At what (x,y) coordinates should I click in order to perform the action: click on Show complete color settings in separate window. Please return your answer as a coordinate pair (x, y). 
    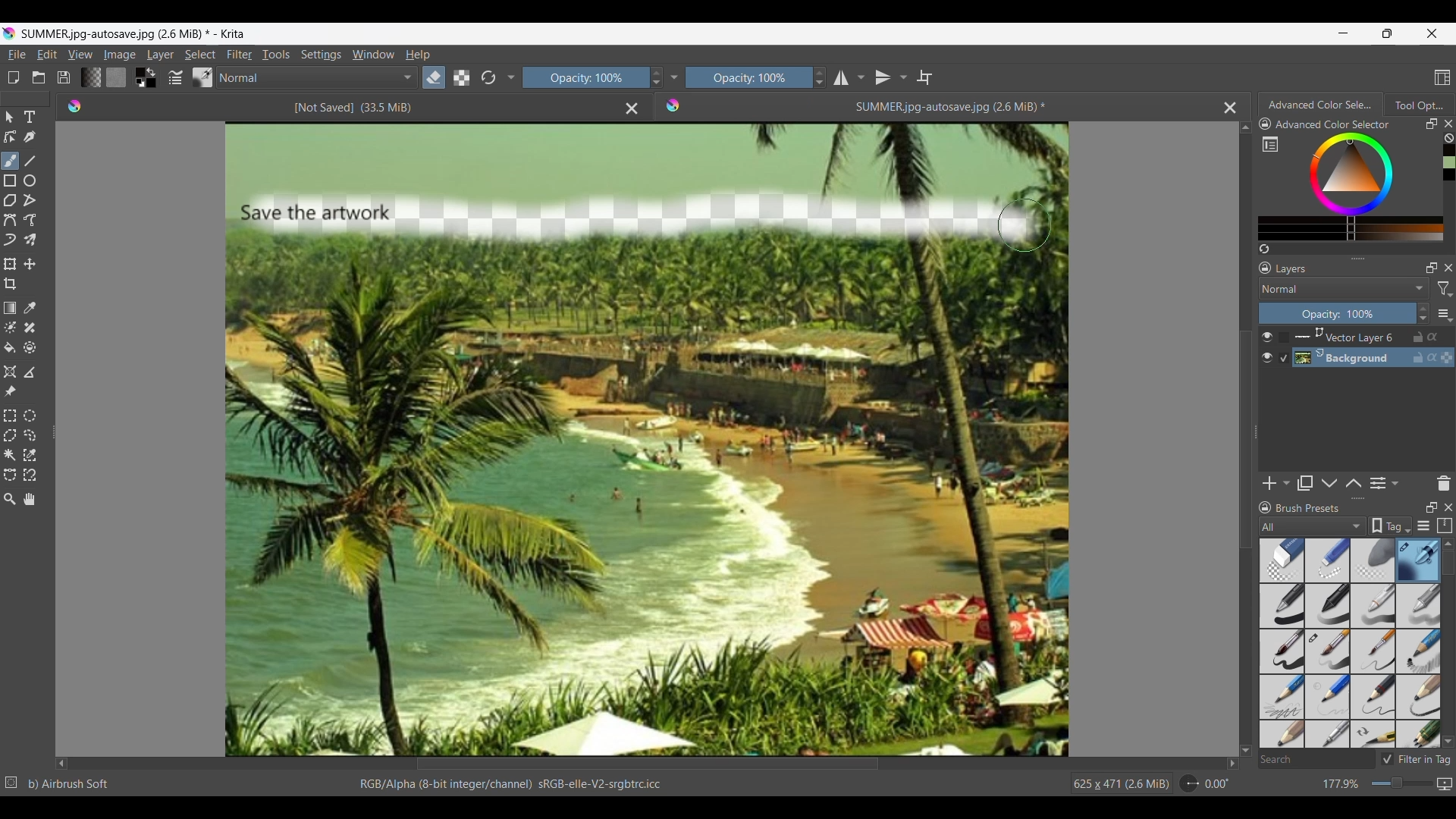
    Looking at the image, I should click on (1270, 143).